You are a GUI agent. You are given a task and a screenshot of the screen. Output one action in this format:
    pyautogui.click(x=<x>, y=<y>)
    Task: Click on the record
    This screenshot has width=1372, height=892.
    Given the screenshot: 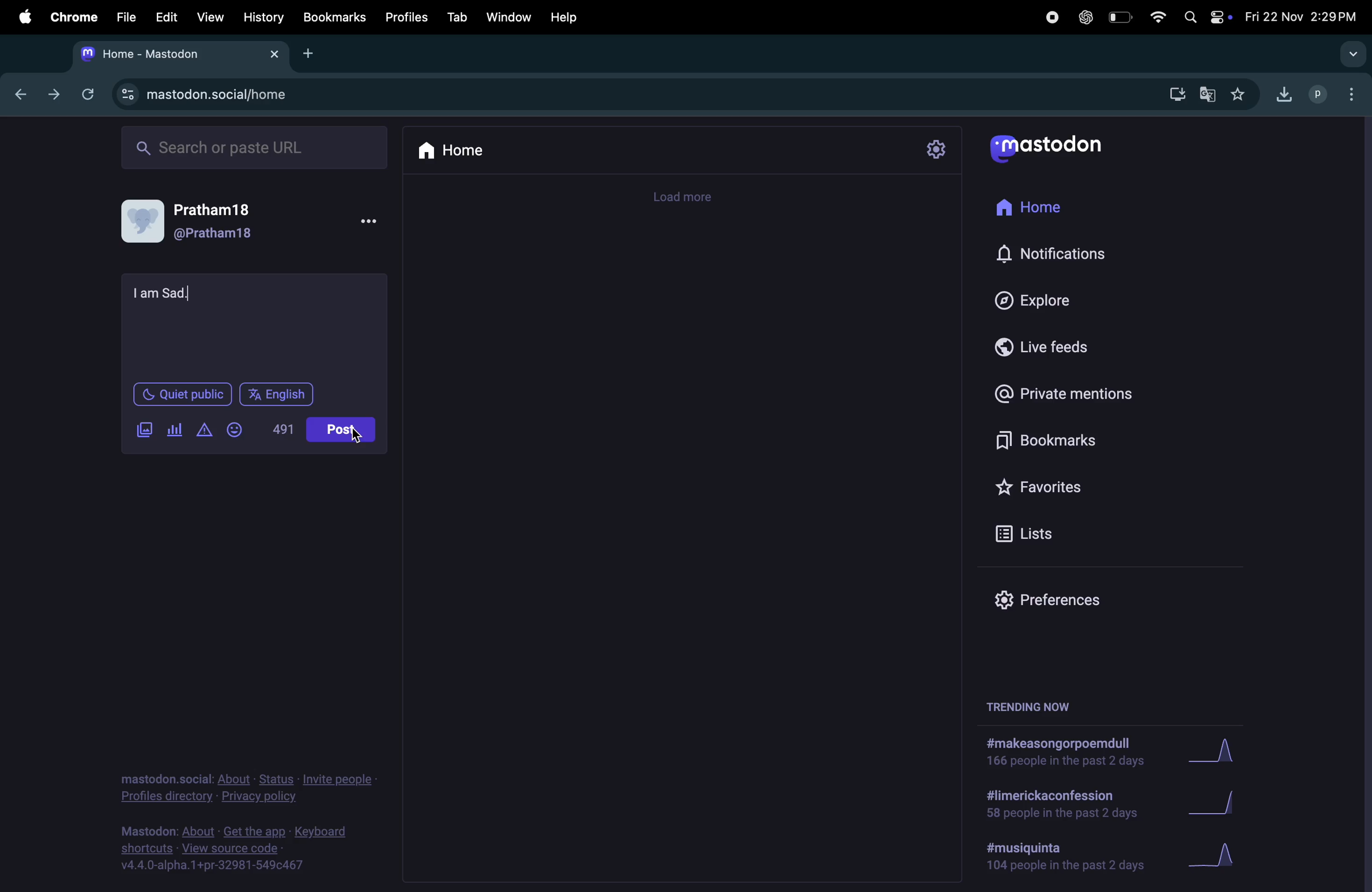 What is the action you would take?
    pyautogui.click(x=1051, y=17)
    